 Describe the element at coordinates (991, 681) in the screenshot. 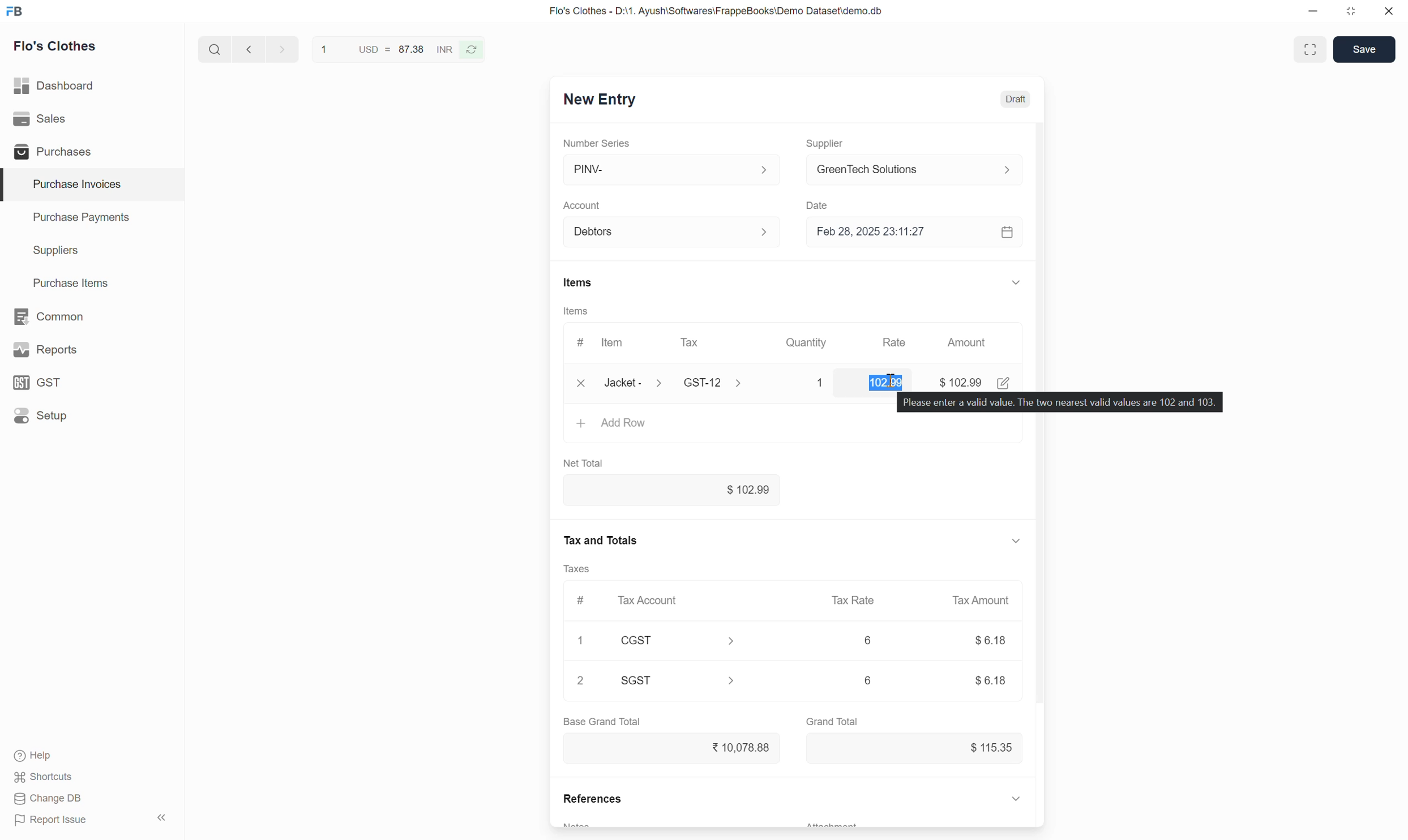

I see `$6.18` at that location.